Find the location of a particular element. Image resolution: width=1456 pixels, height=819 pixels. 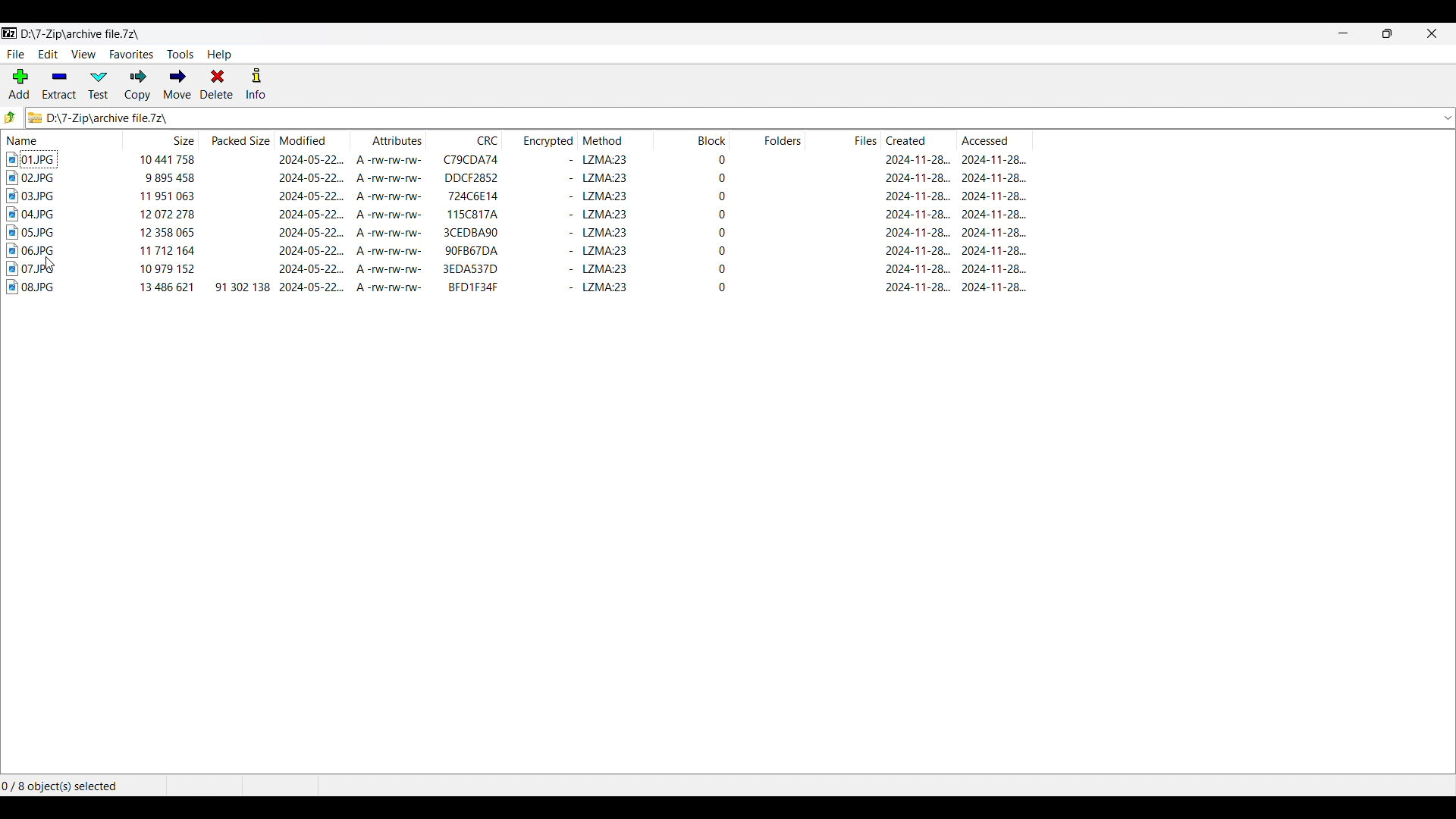

size is located at coordinates (167, 196).